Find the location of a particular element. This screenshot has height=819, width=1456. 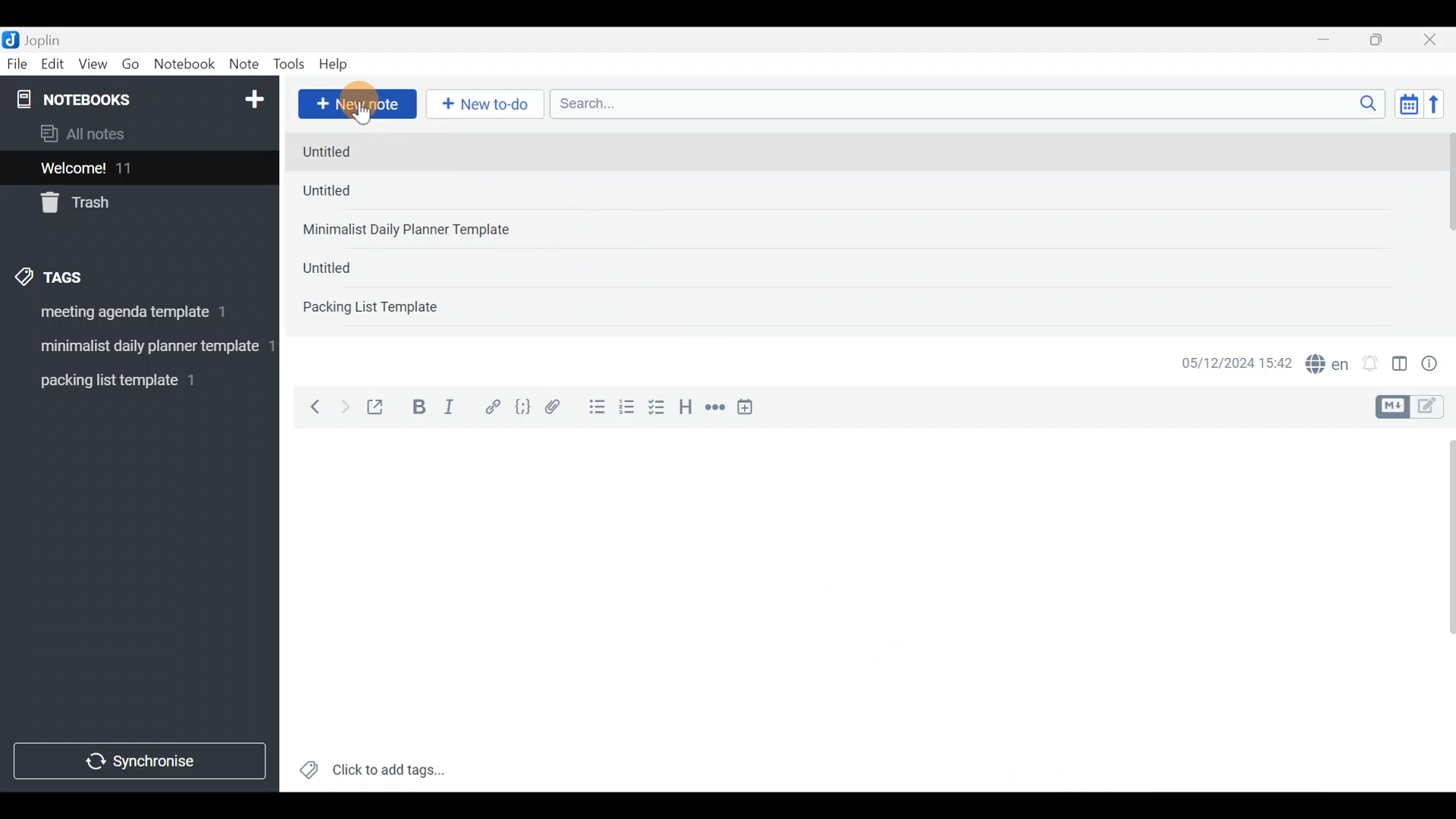

Numbered list is located at coordinates (627, 410).